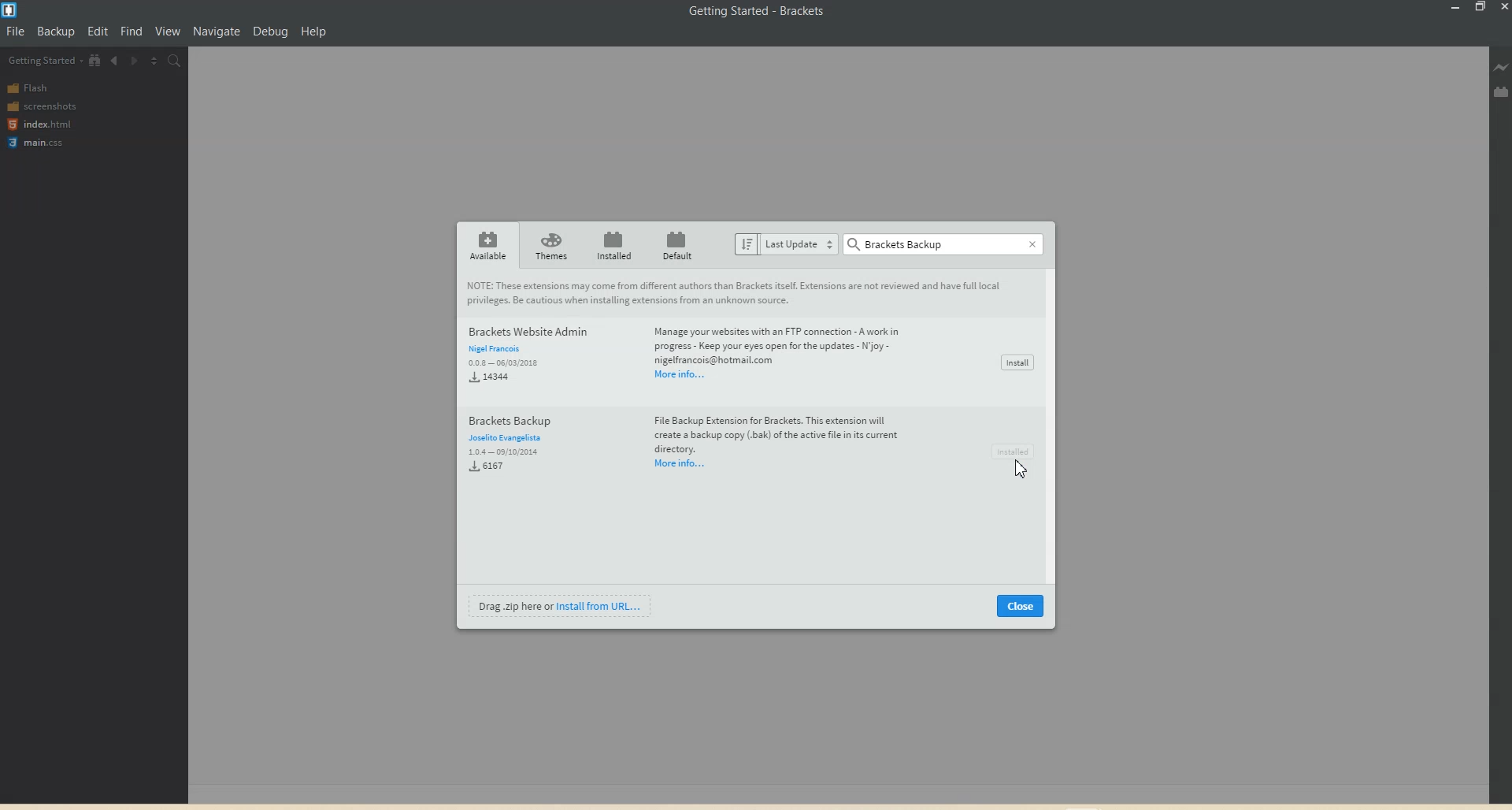 The image size is (1512, 810). Describe the element at coordinates (215, 32) in the screenshot. I see `Navigation` at that location.